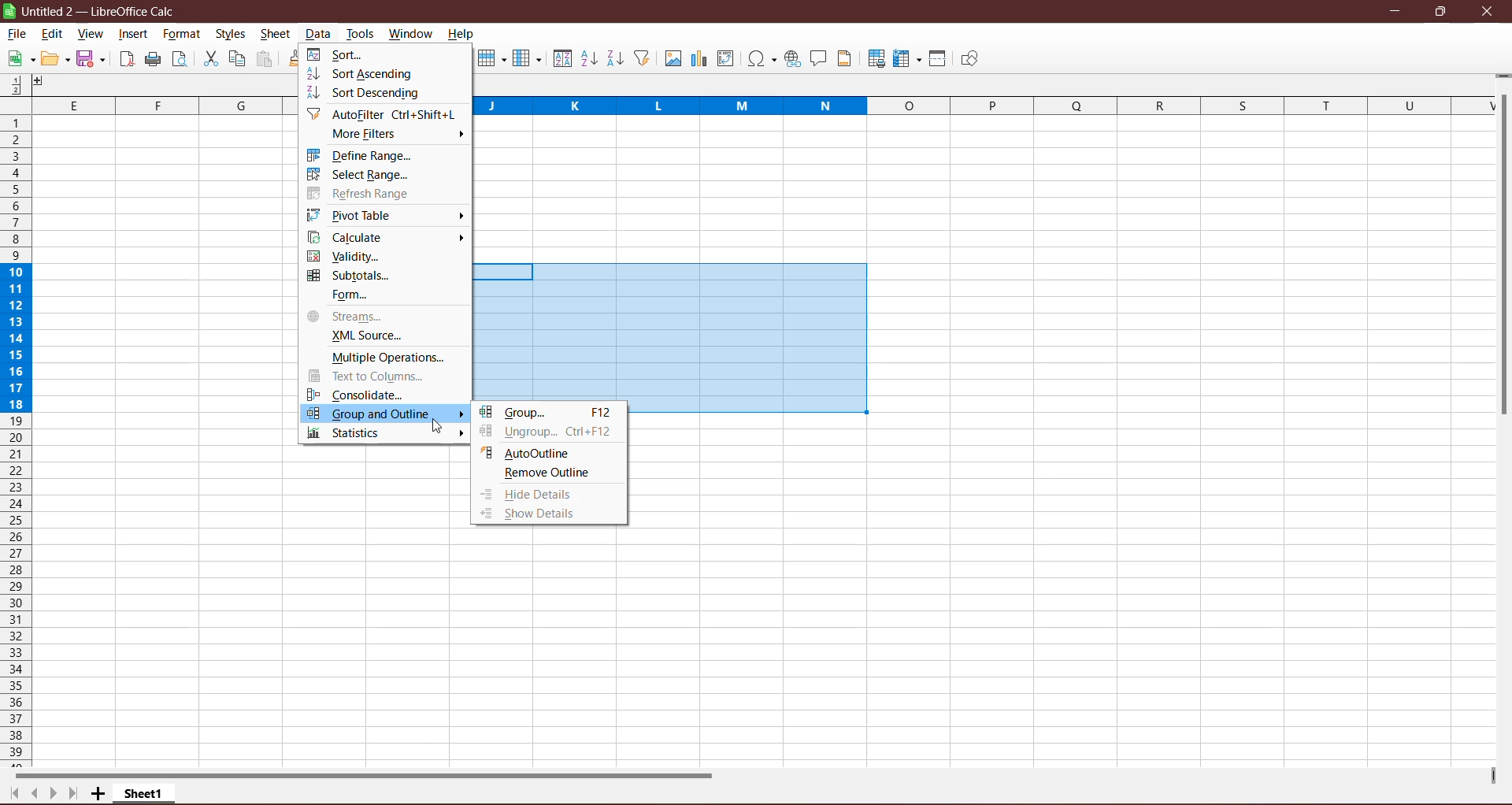 The height and width of the screenshot is (805, 1512). Describe the element at coordinates (527, 58) in the screenshot. I see `Columns` at that location.